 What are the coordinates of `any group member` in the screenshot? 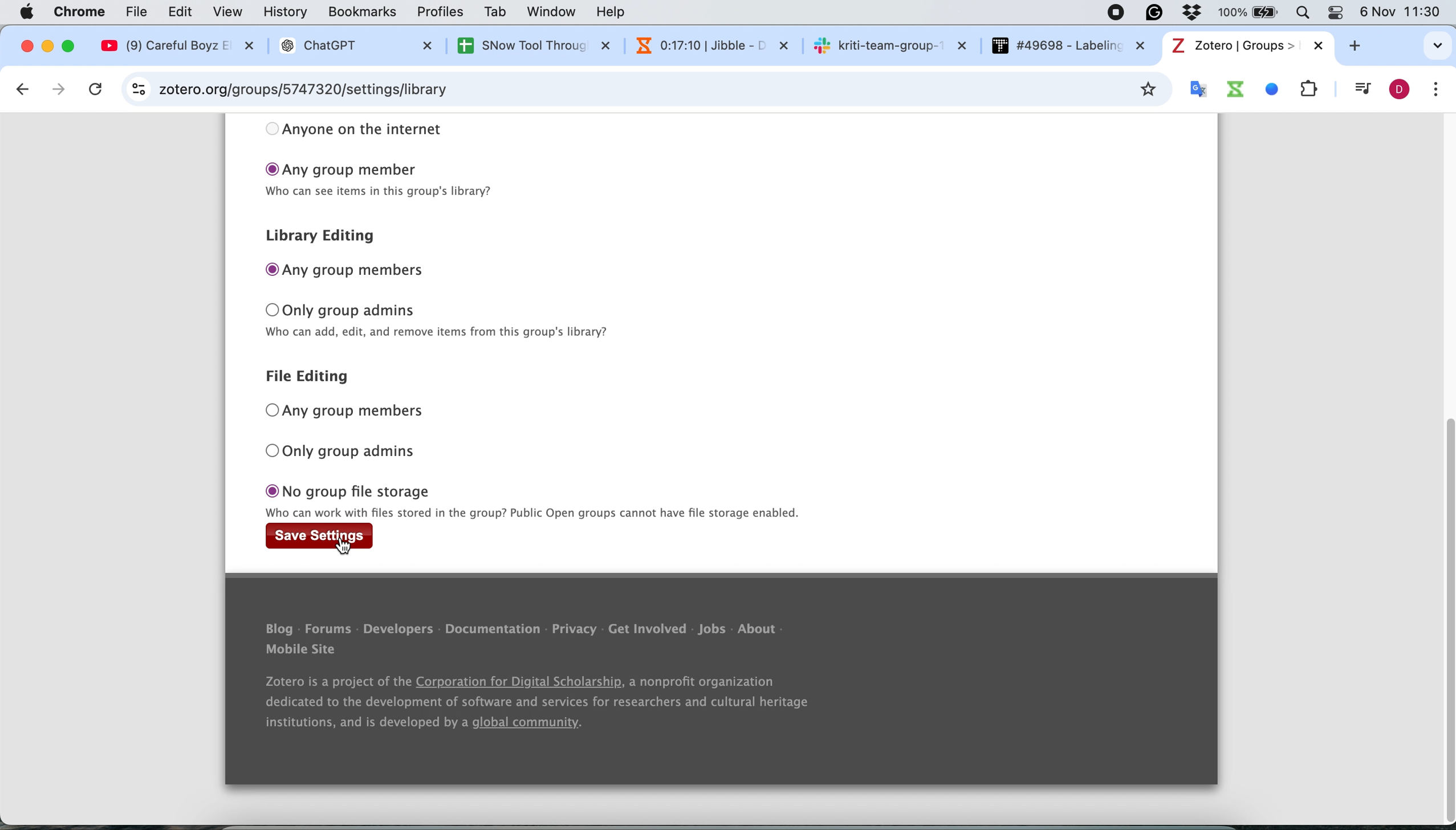 It's located at (340, 168).